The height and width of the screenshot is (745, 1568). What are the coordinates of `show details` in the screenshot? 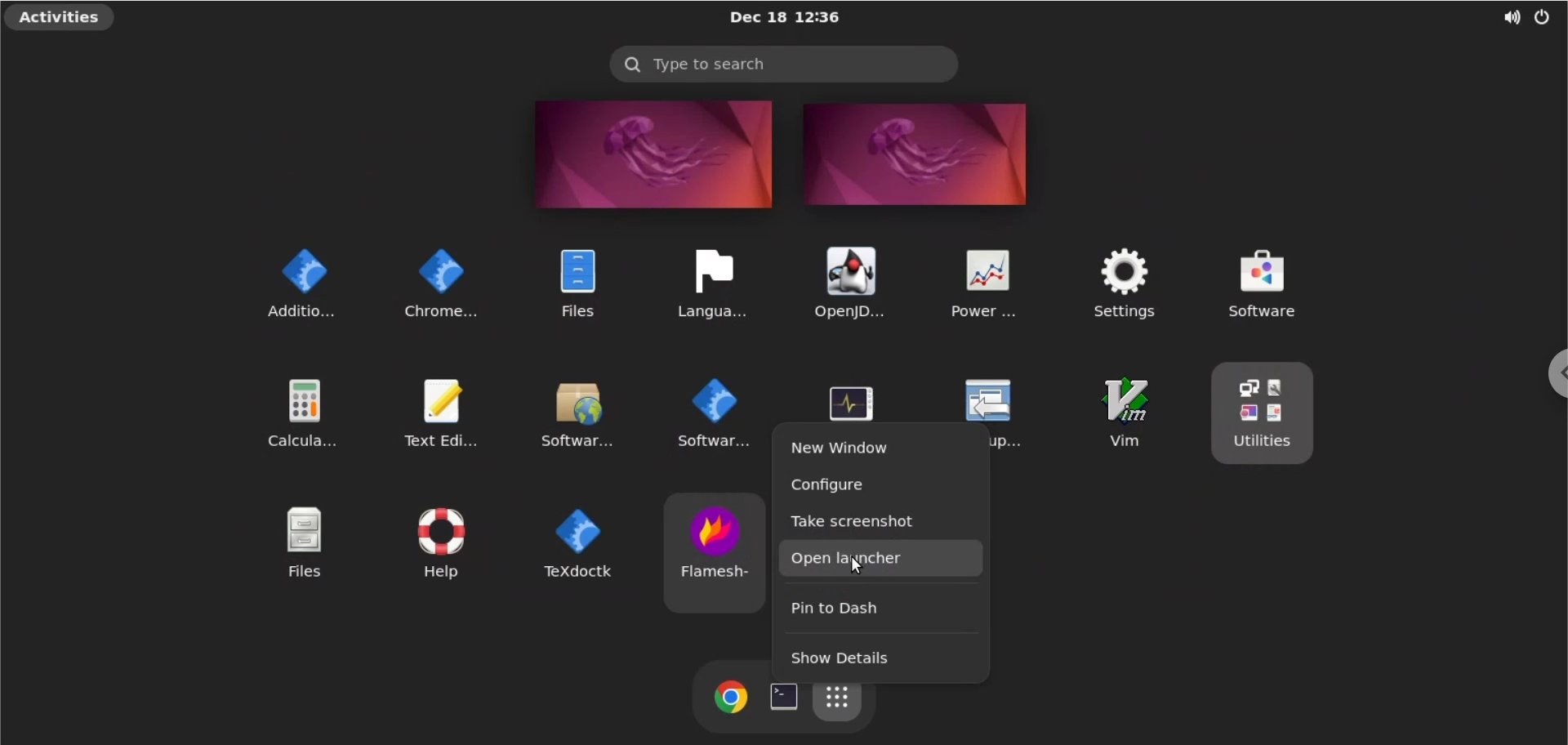 It's located at (870, 653).